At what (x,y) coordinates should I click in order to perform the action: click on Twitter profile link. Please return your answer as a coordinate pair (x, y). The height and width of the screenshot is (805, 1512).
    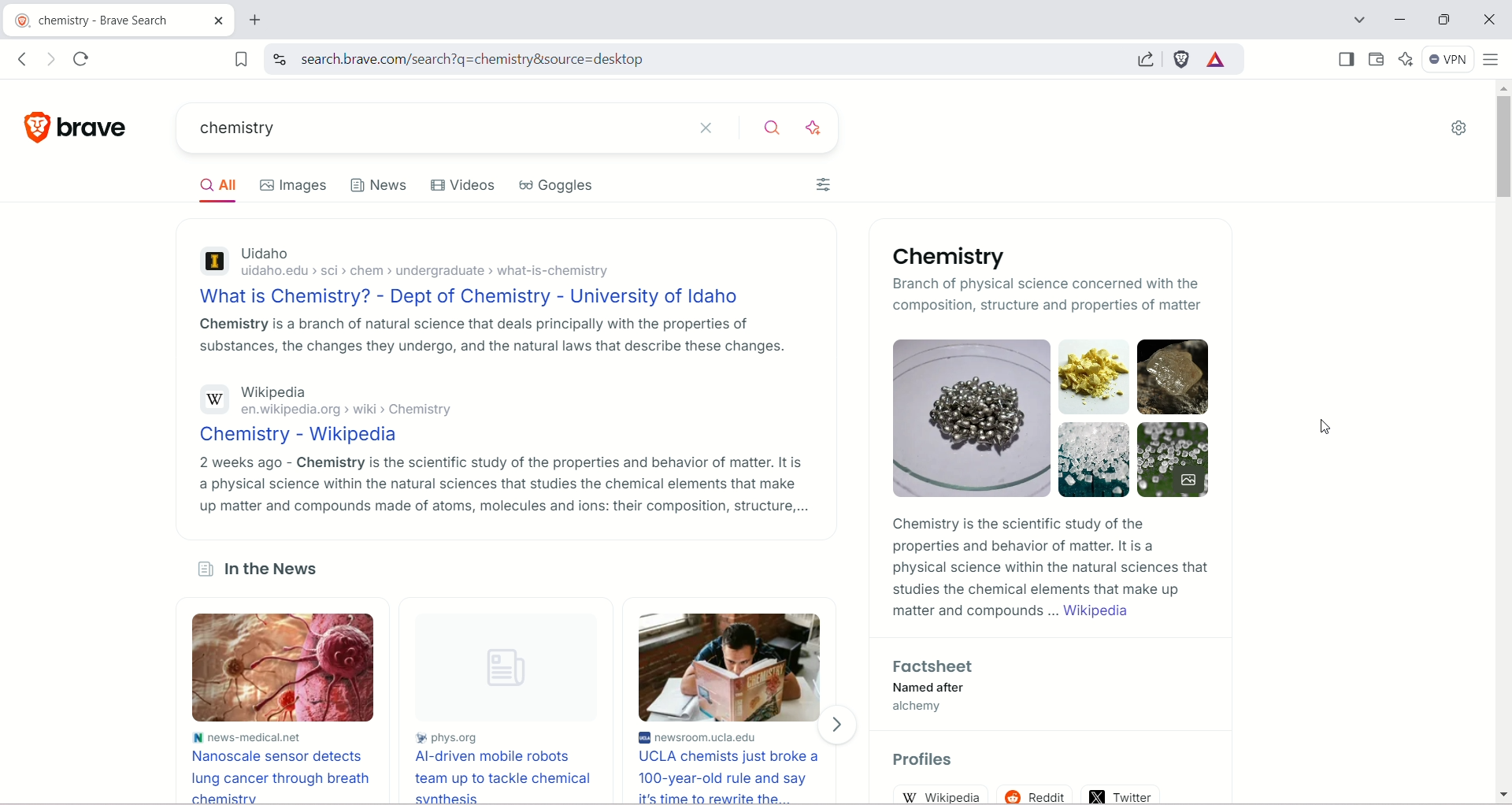
    Looking at the image, I should click on (1122, 794).